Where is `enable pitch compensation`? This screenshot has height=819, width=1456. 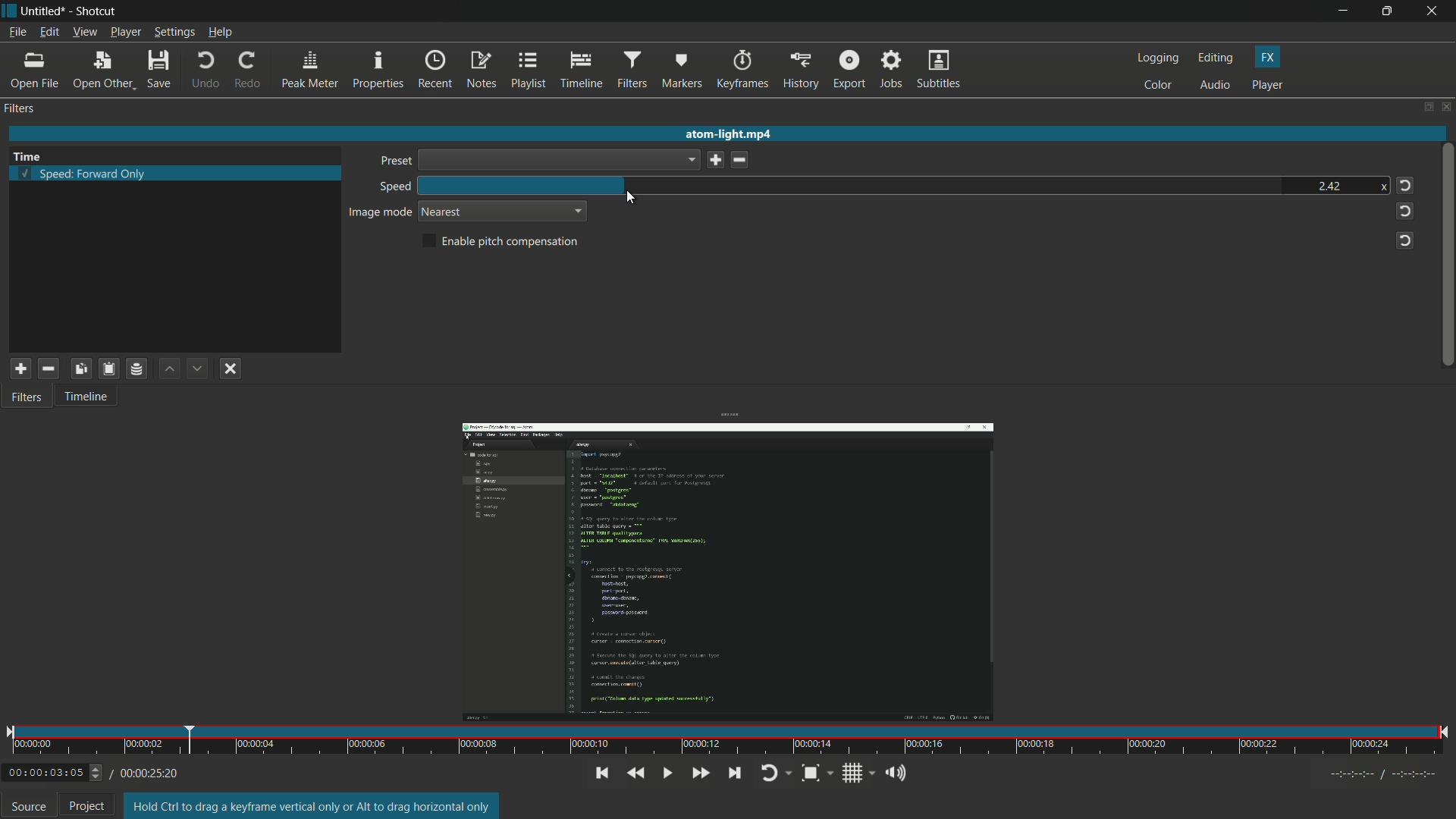 enable pitch compensation is located at coordinates (502, 242).